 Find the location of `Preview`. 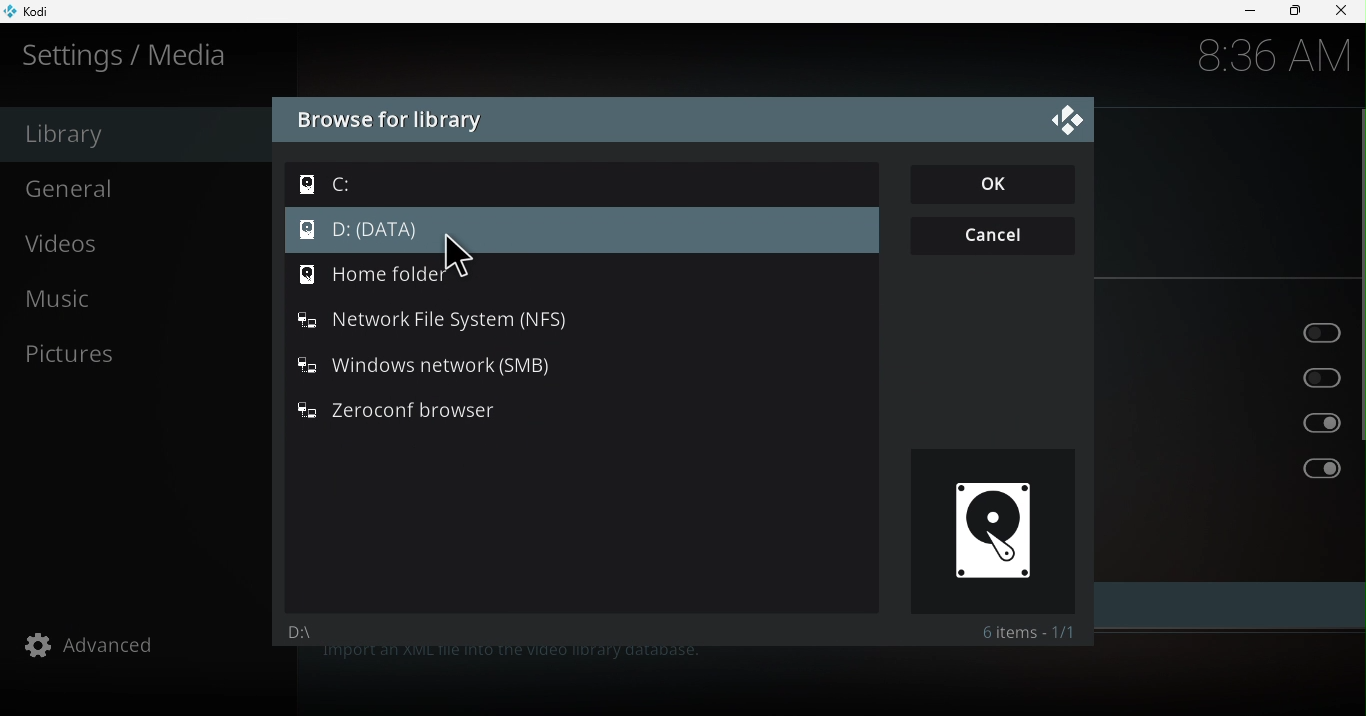

Preview is located at coordinates (991, 524).